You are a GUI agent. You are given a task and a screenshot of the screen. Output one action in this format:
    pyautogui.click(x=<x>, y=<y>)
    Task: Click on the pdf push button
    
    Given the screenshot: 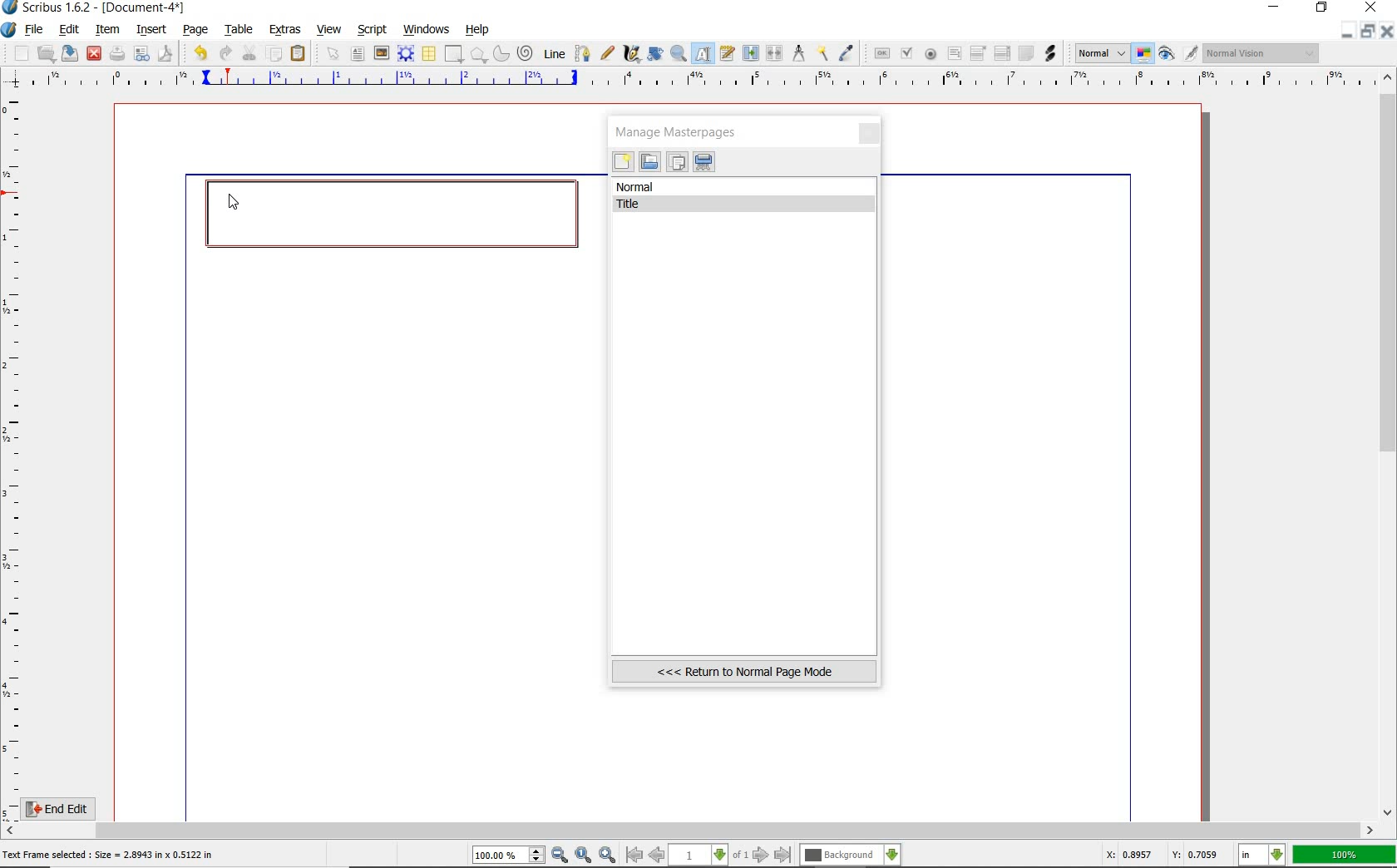 What is the action you would take?
    pyautogui.click(x=879, y=52)
    